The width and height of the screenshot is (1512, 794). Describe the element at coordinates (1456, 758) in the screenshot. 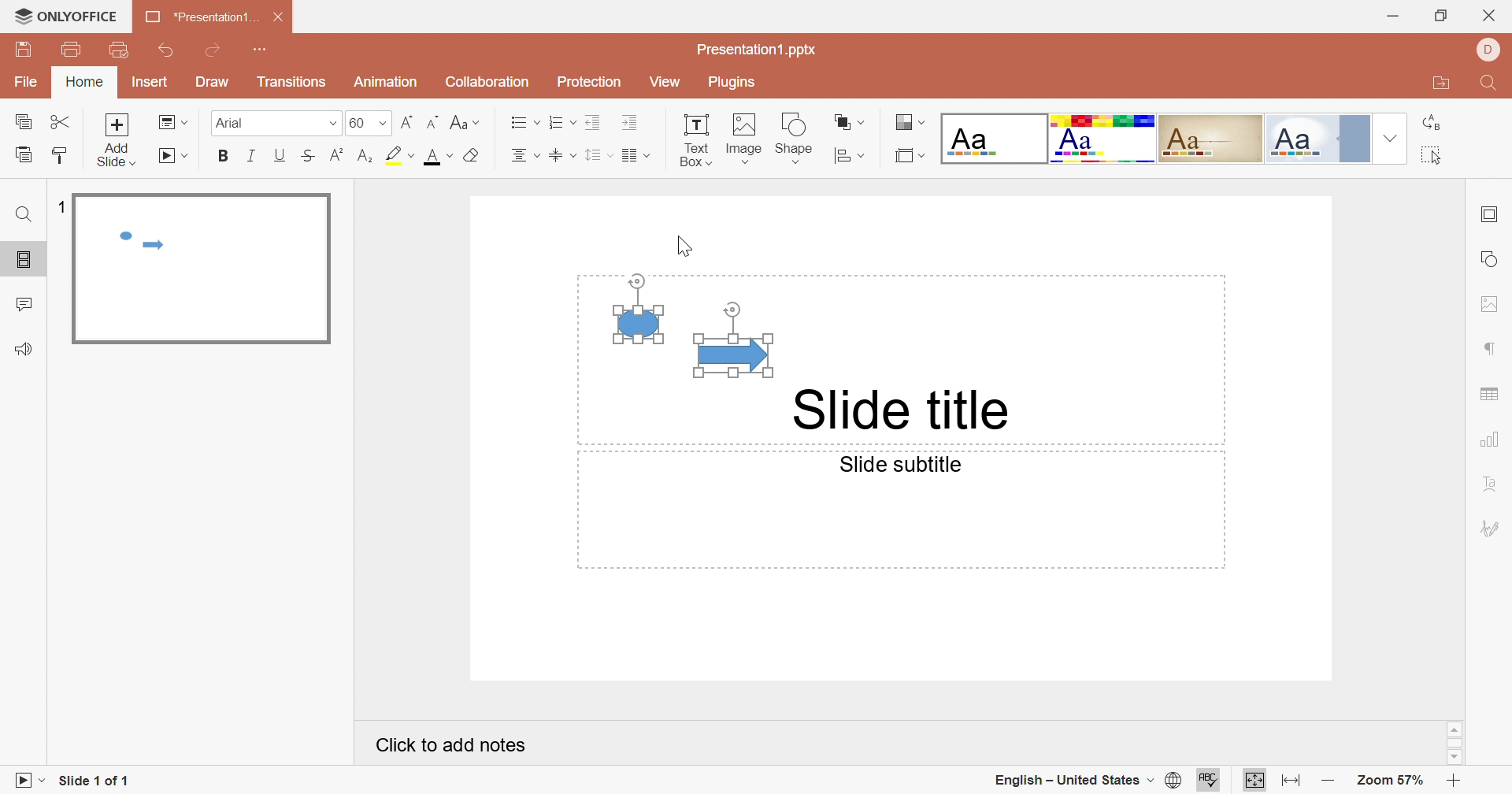

I see `Scroll Down` at that location.